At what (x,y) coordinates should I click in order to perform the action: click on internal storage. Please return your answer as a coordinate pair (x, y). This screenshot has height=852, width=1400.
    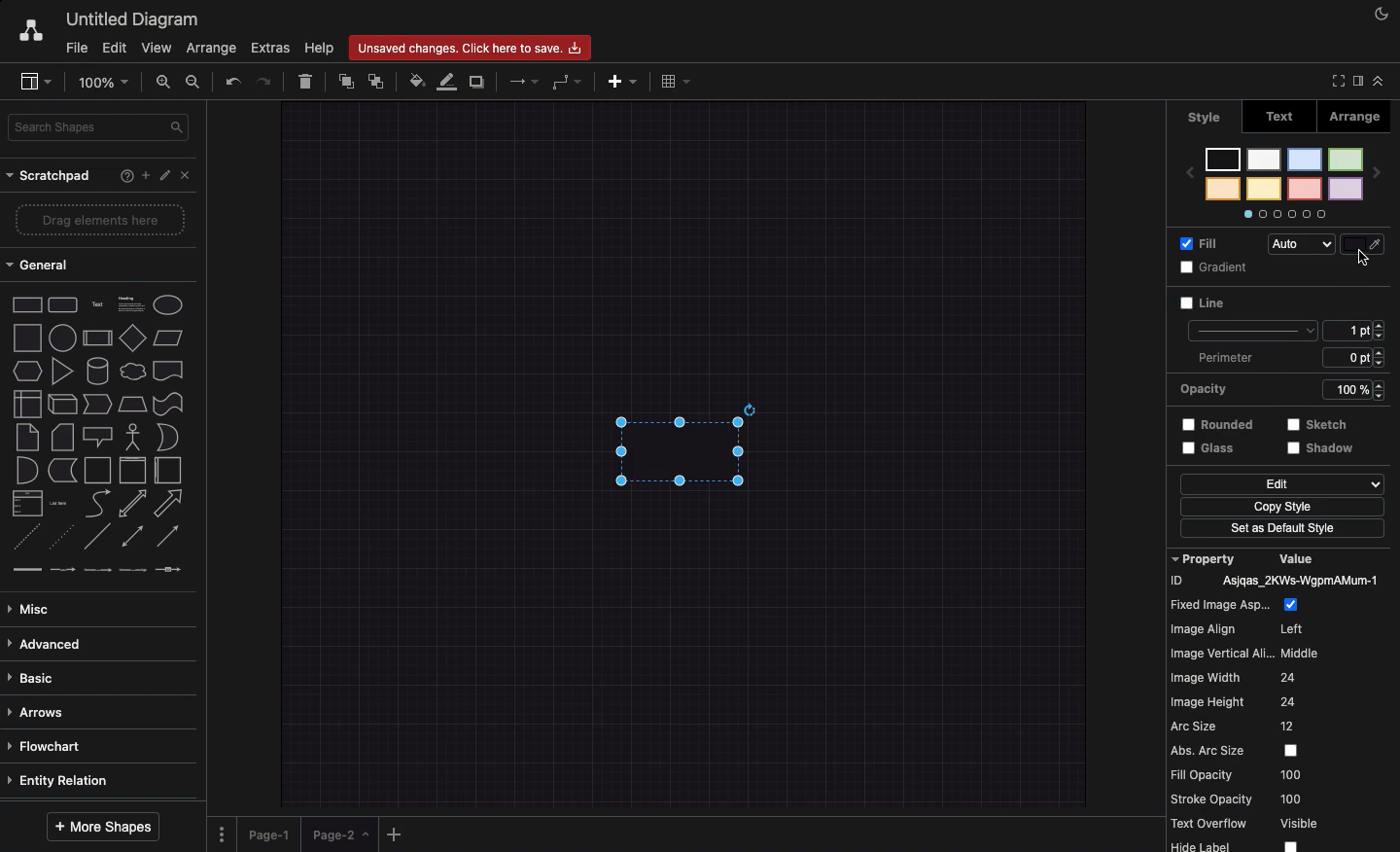
    Looking at the image, I should click on (25, 403).